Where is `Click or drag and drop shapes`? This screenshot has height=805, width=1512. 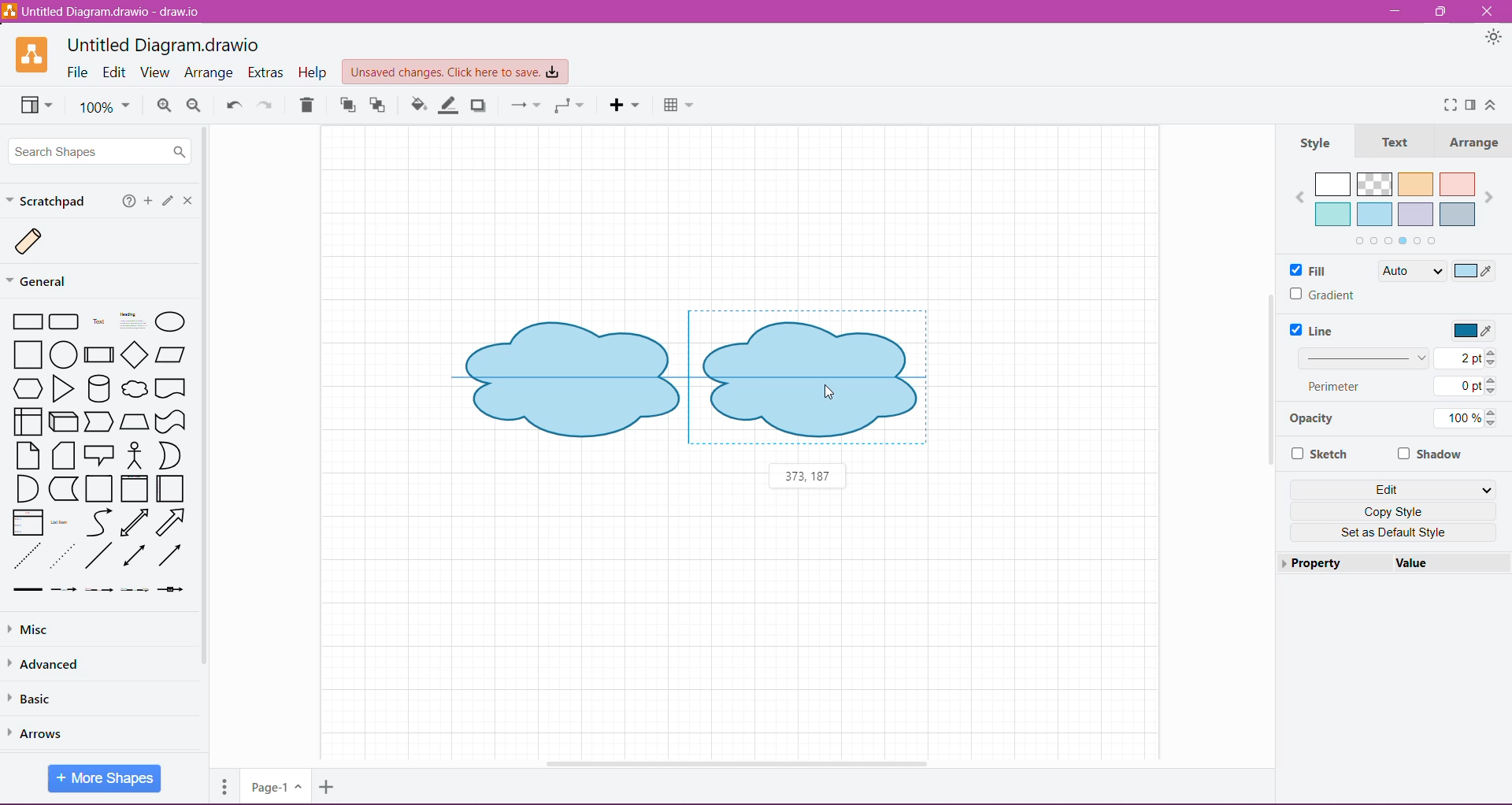 Click or drag and drop shapes is located at coordinates (169, 202).